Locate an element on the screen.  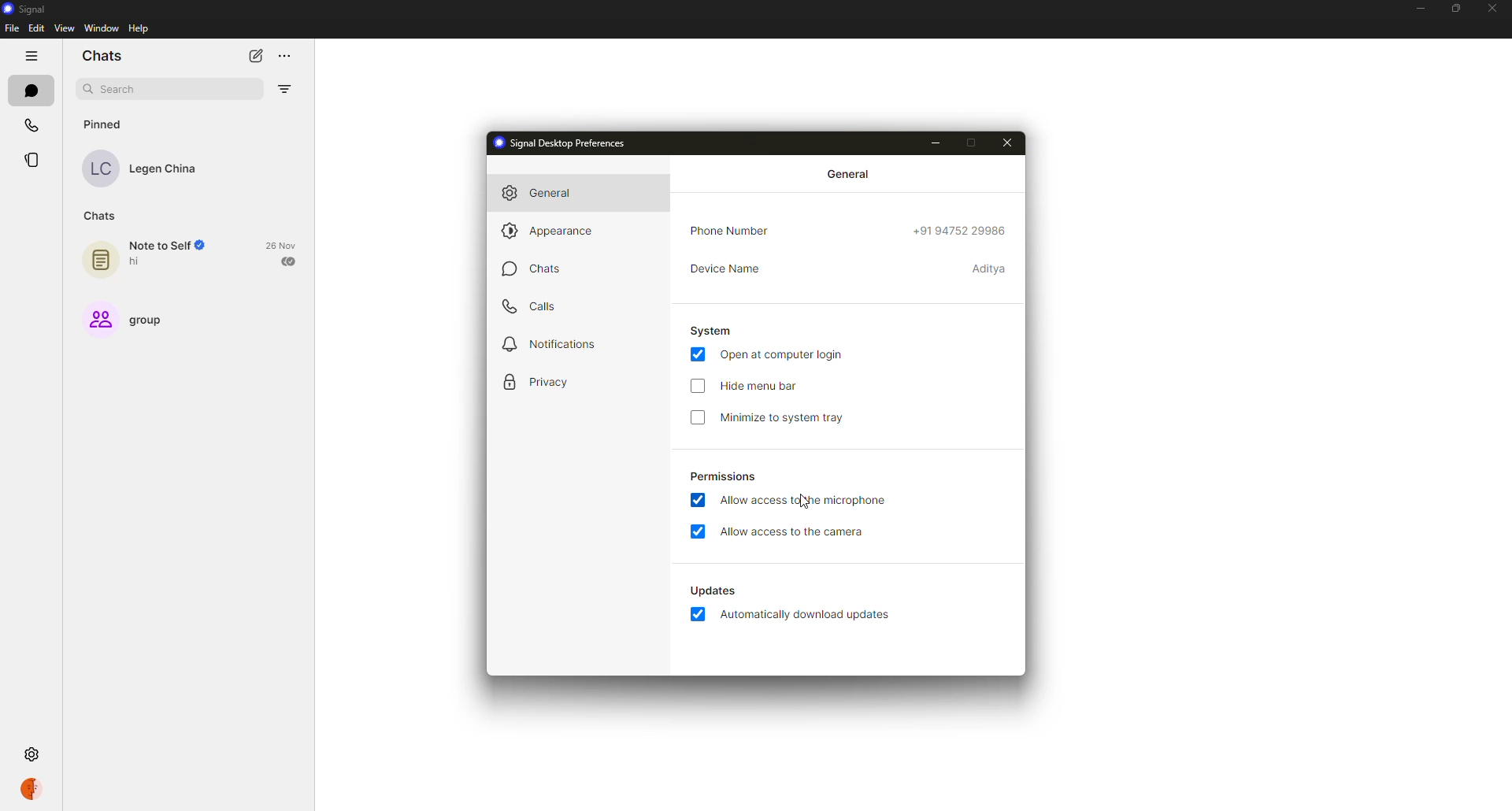
edit is located at coordinates (39, 28).